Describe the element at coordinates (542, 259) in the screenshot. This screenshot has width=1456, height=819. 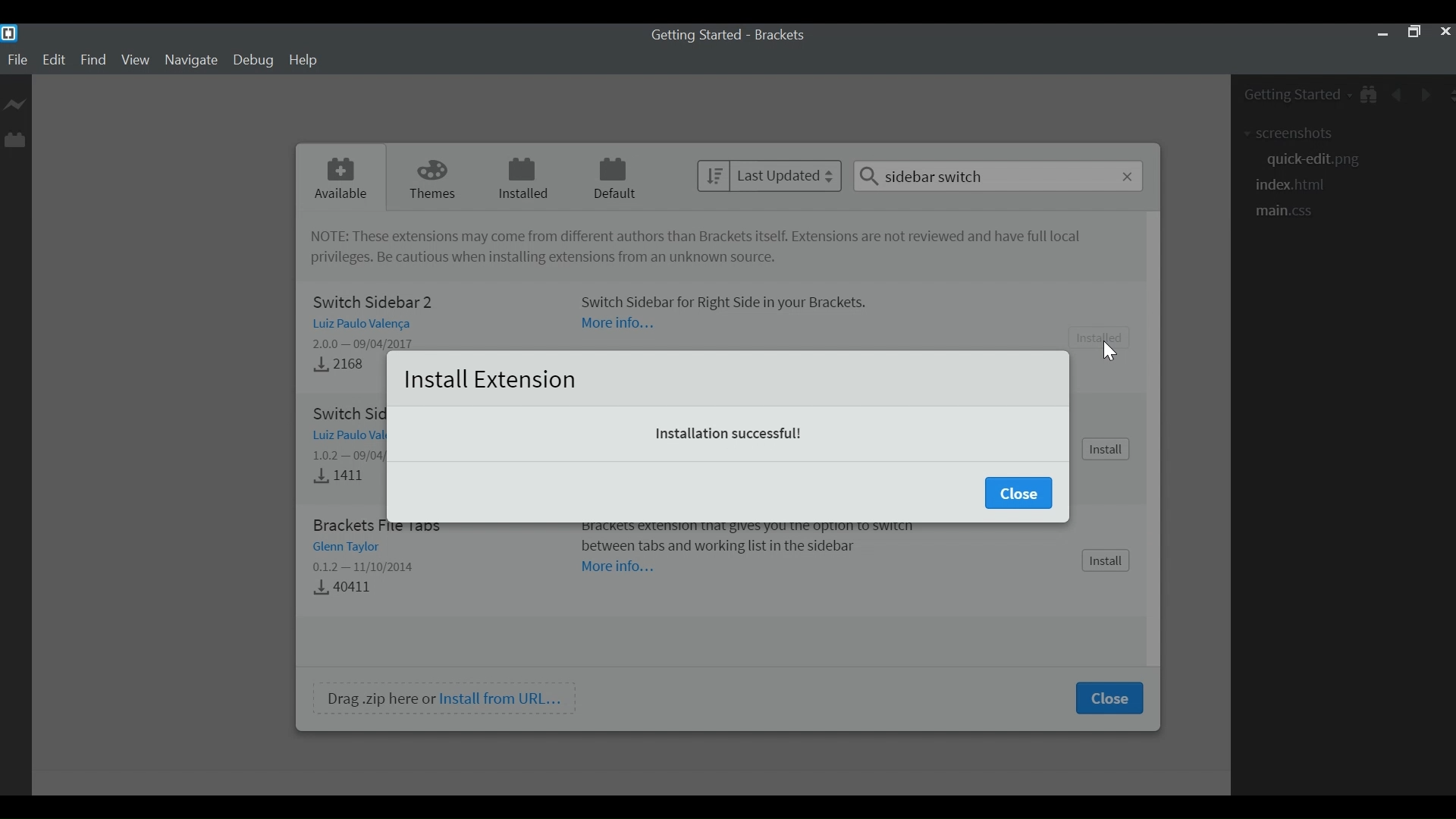
I see `Be cautious when installing extensions from unkown source` at that location.